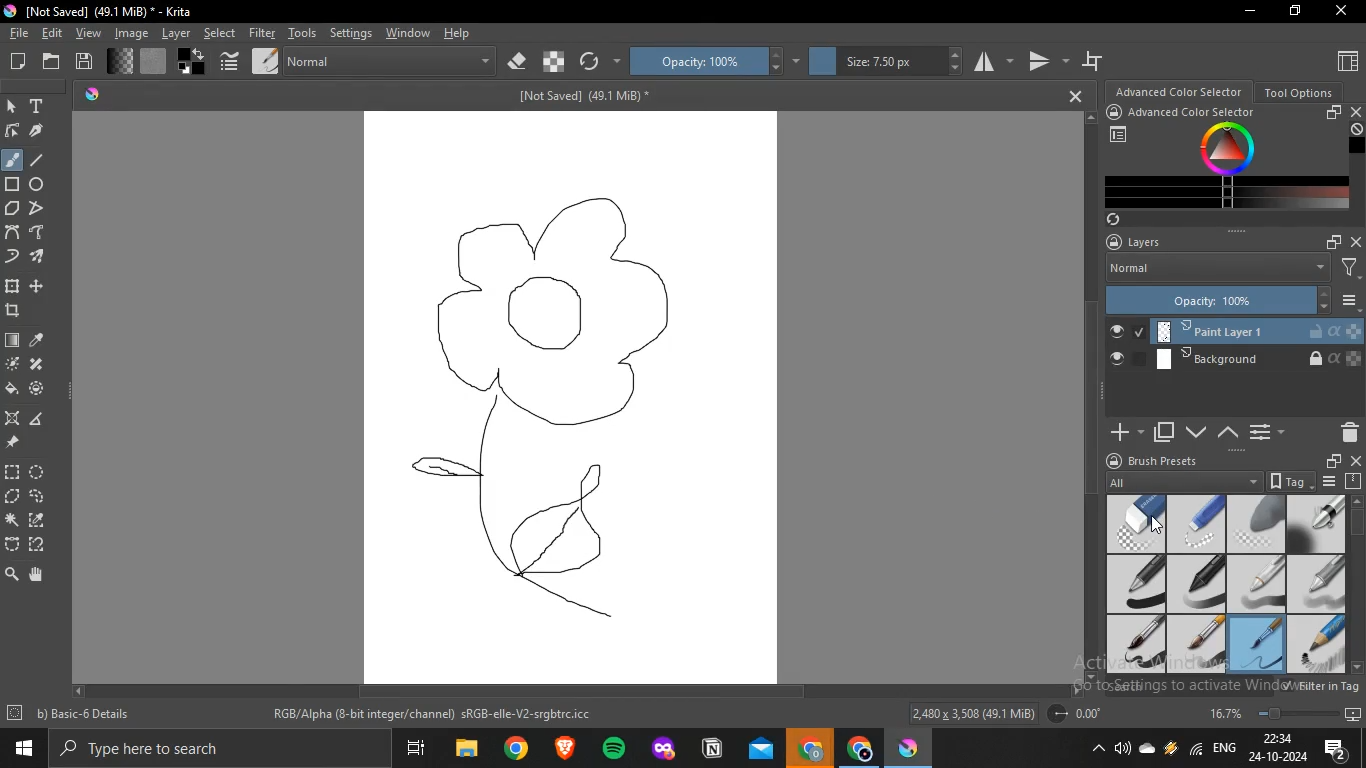 This screenshot has height=768, width=1366. What do you see at coordinates (972, 712) in the screenshot?
I see `2,480 x 3,508 (49.1 MiB)` at bounding box center [972, 712].